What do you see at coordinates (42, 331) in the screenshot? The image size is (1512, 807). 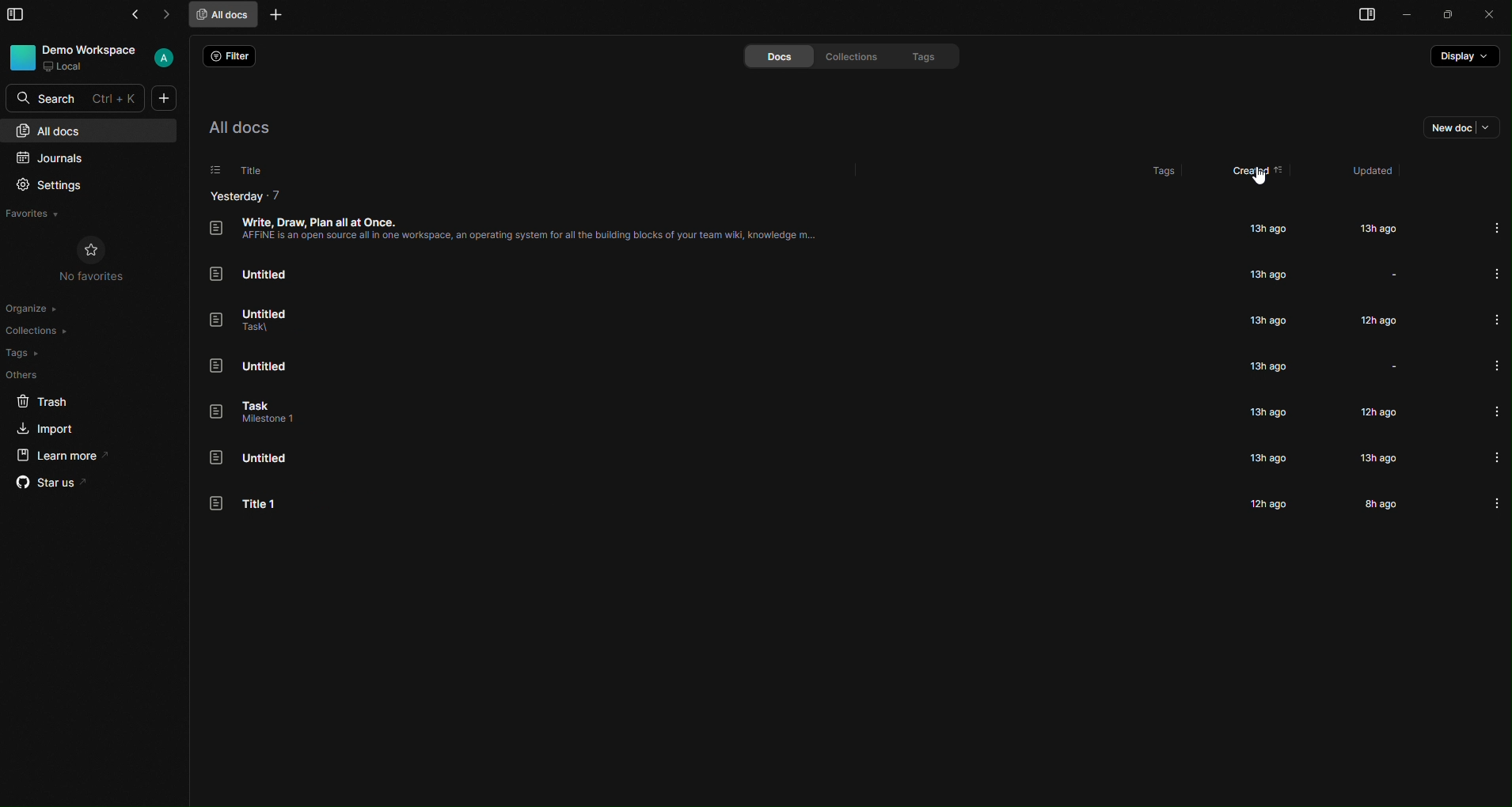 I see `collections` at bounding box center [42, 331].